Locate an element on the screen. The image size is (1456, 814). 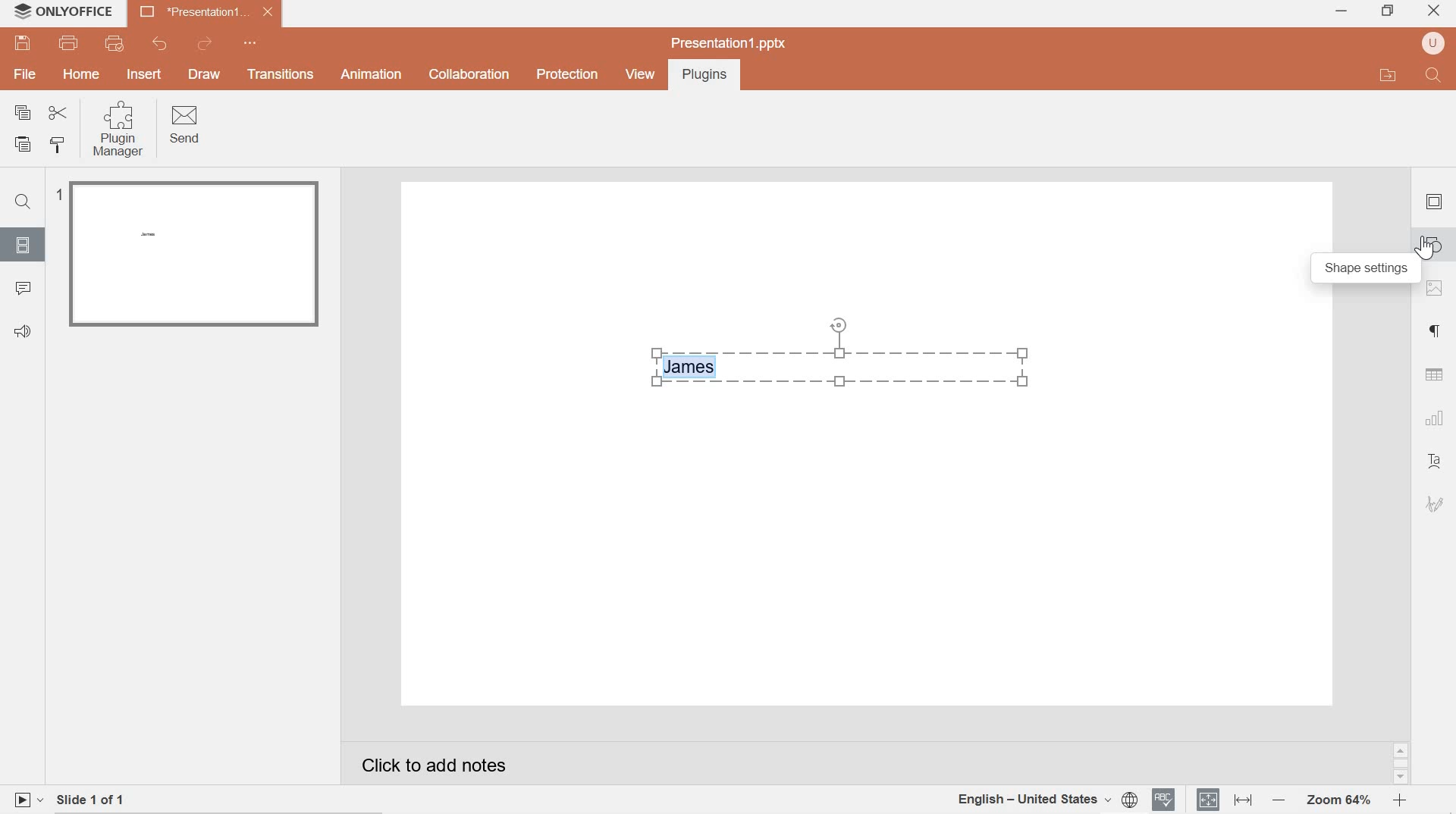
zoom in is located at coordinates (1398, 800).